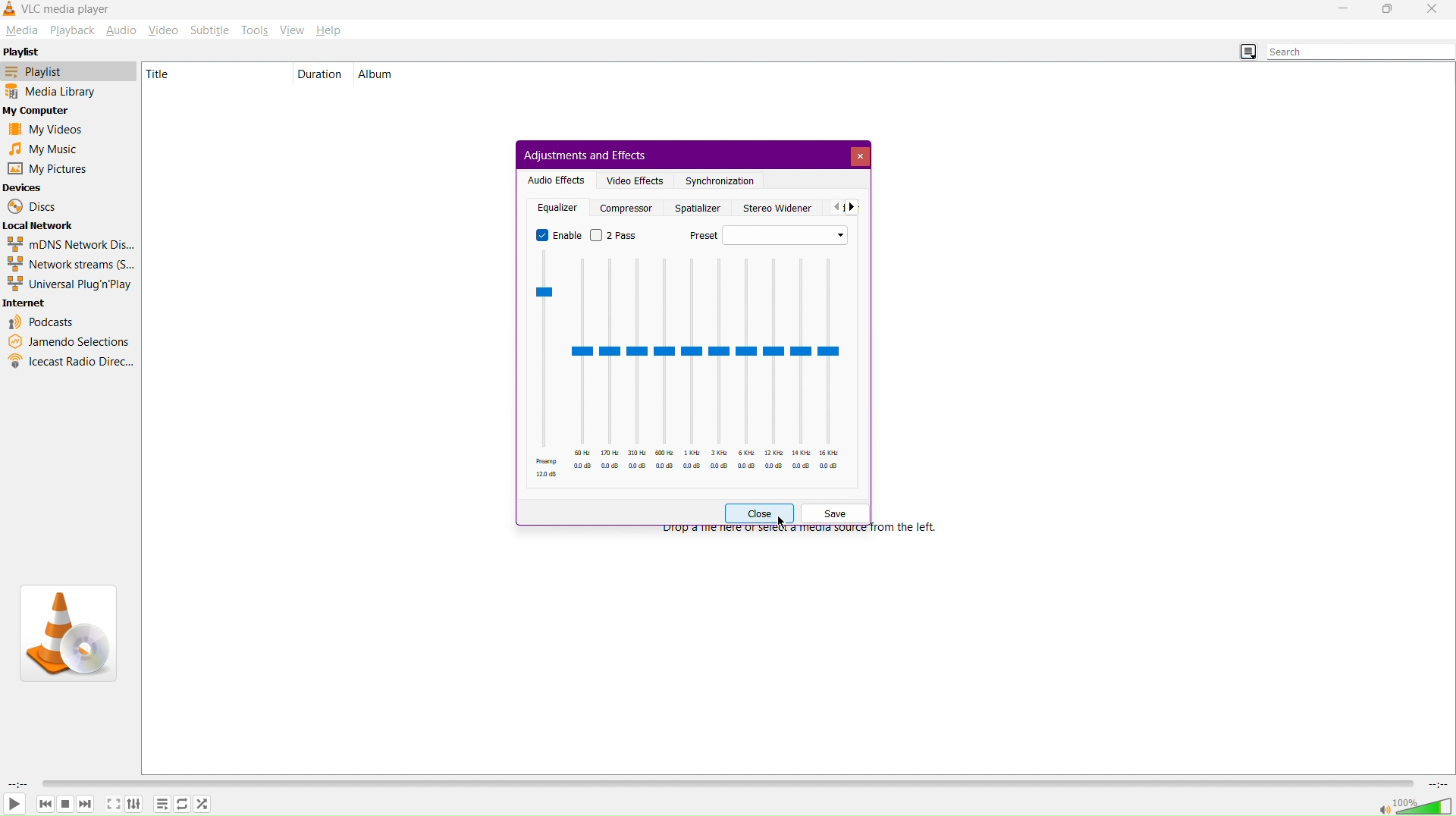  What do you see at coordinates (555, 234) in the screenshot?
I see `Enable (On)` at bounding box center [555, 234].